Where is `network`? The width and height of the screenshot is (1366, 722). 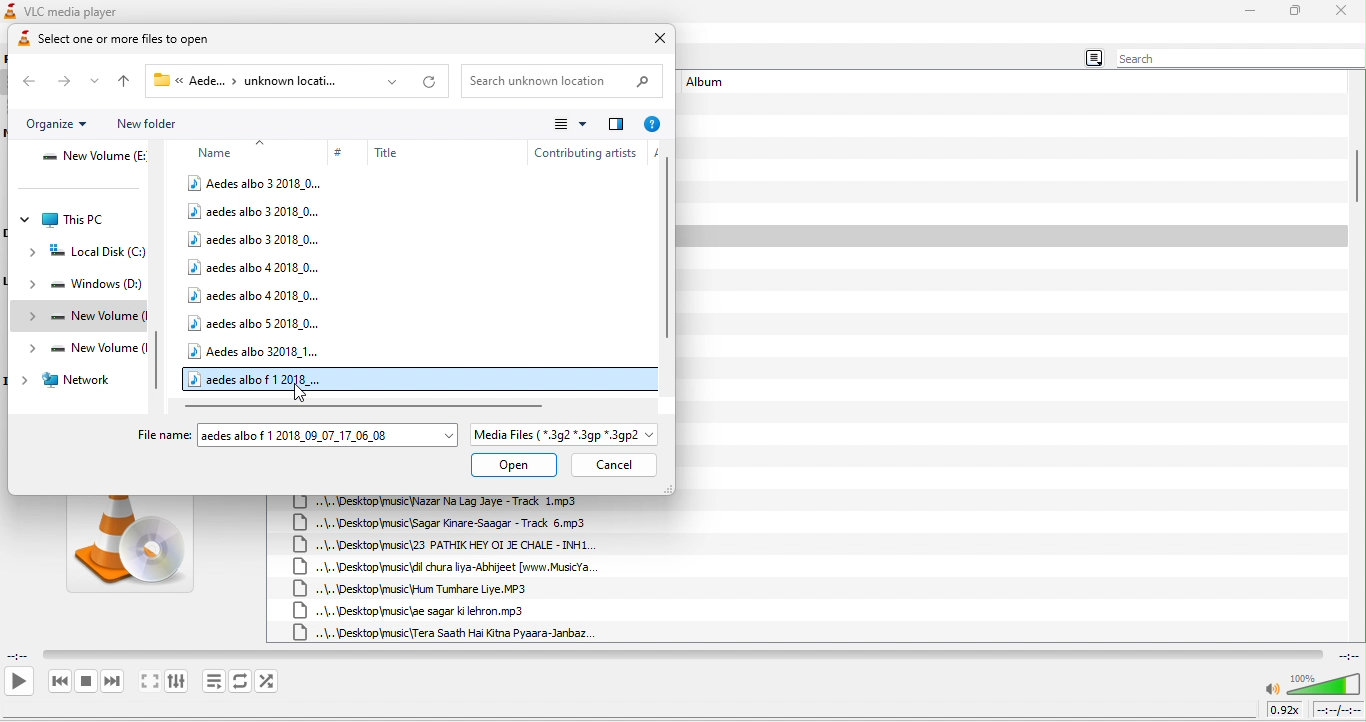 network is located at coordinates (68, 381).